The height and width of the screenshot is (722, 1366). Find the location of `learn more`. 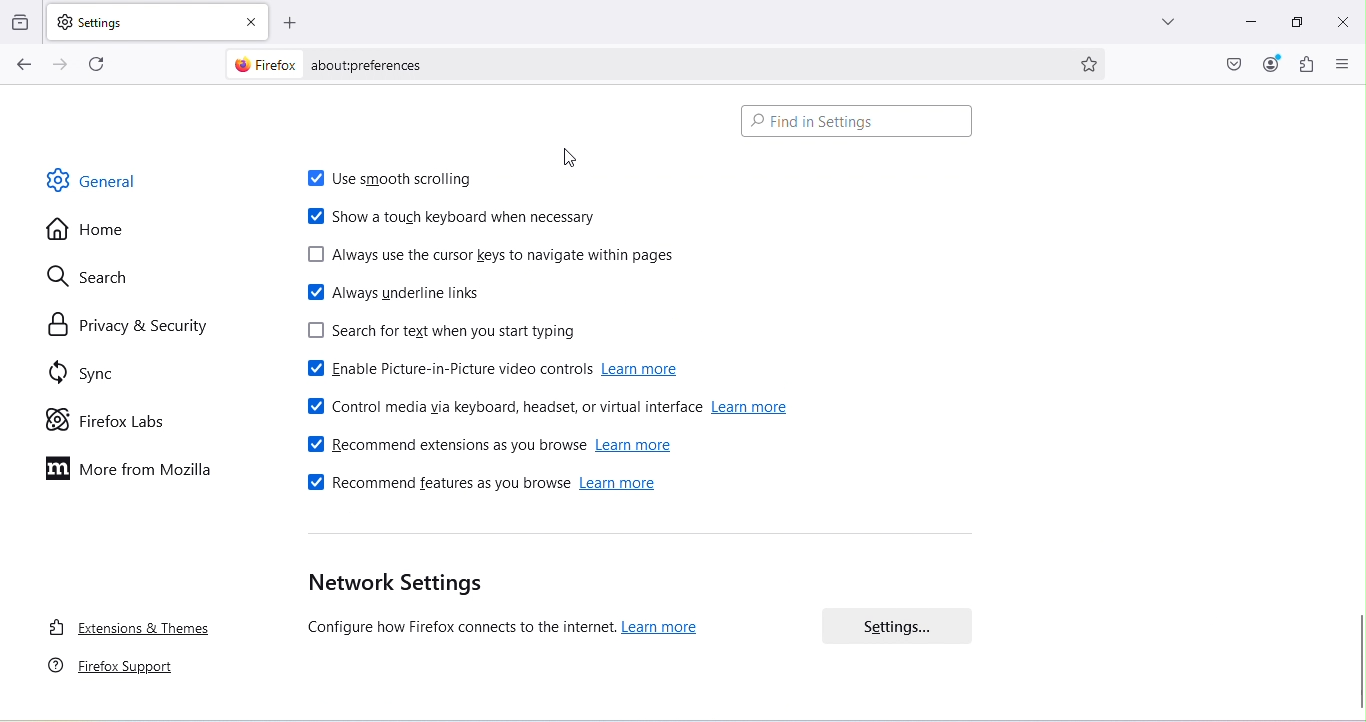

learn more is located at coordinates (665, 629).